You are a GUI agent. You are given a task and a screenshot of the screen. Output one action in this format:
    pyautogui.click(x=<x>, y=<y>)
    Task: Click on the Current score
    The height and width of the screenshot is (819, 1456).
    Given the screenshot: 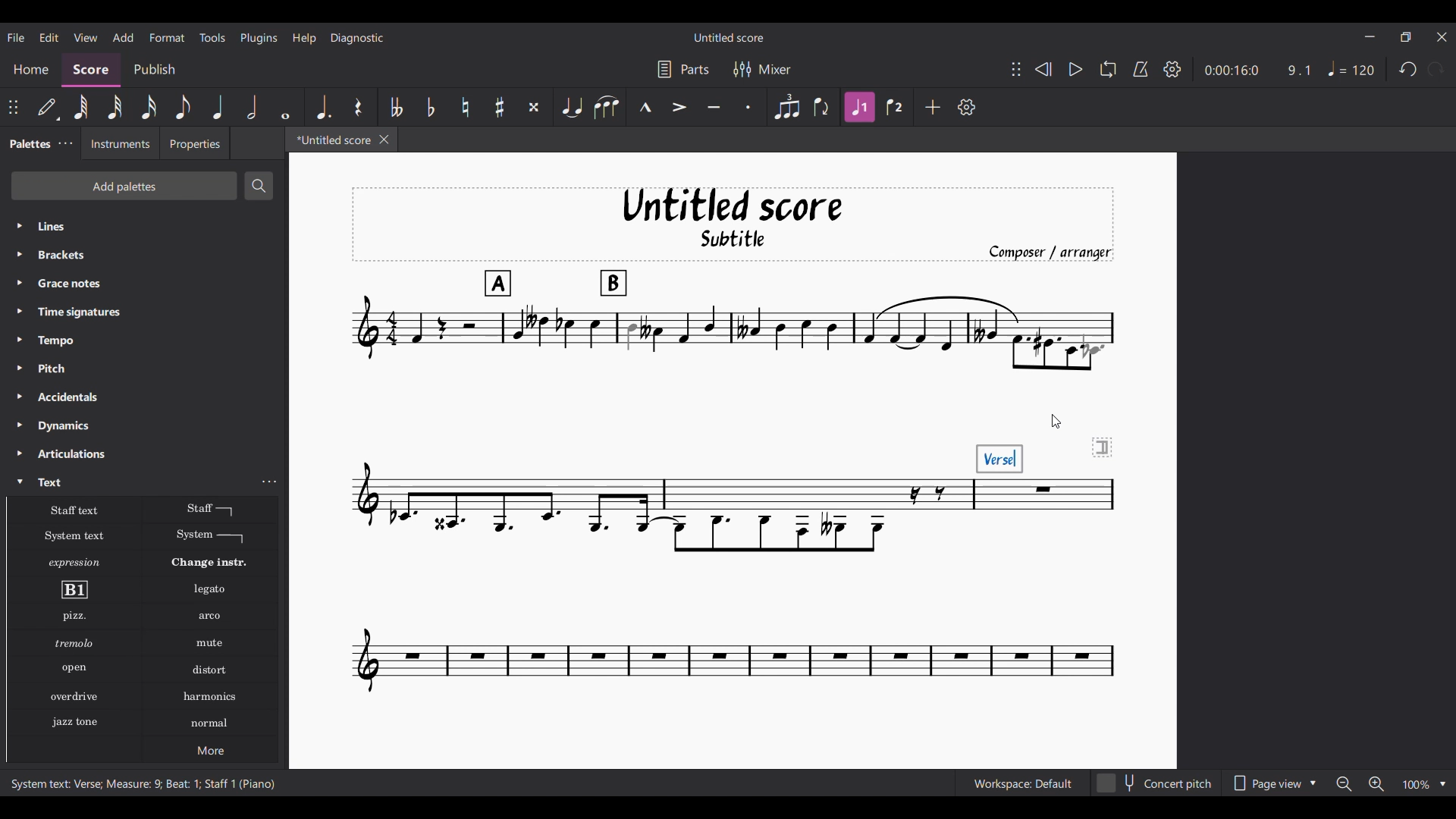 What is the action you would take?
    pyautogui.click(x=651, y=441)
    